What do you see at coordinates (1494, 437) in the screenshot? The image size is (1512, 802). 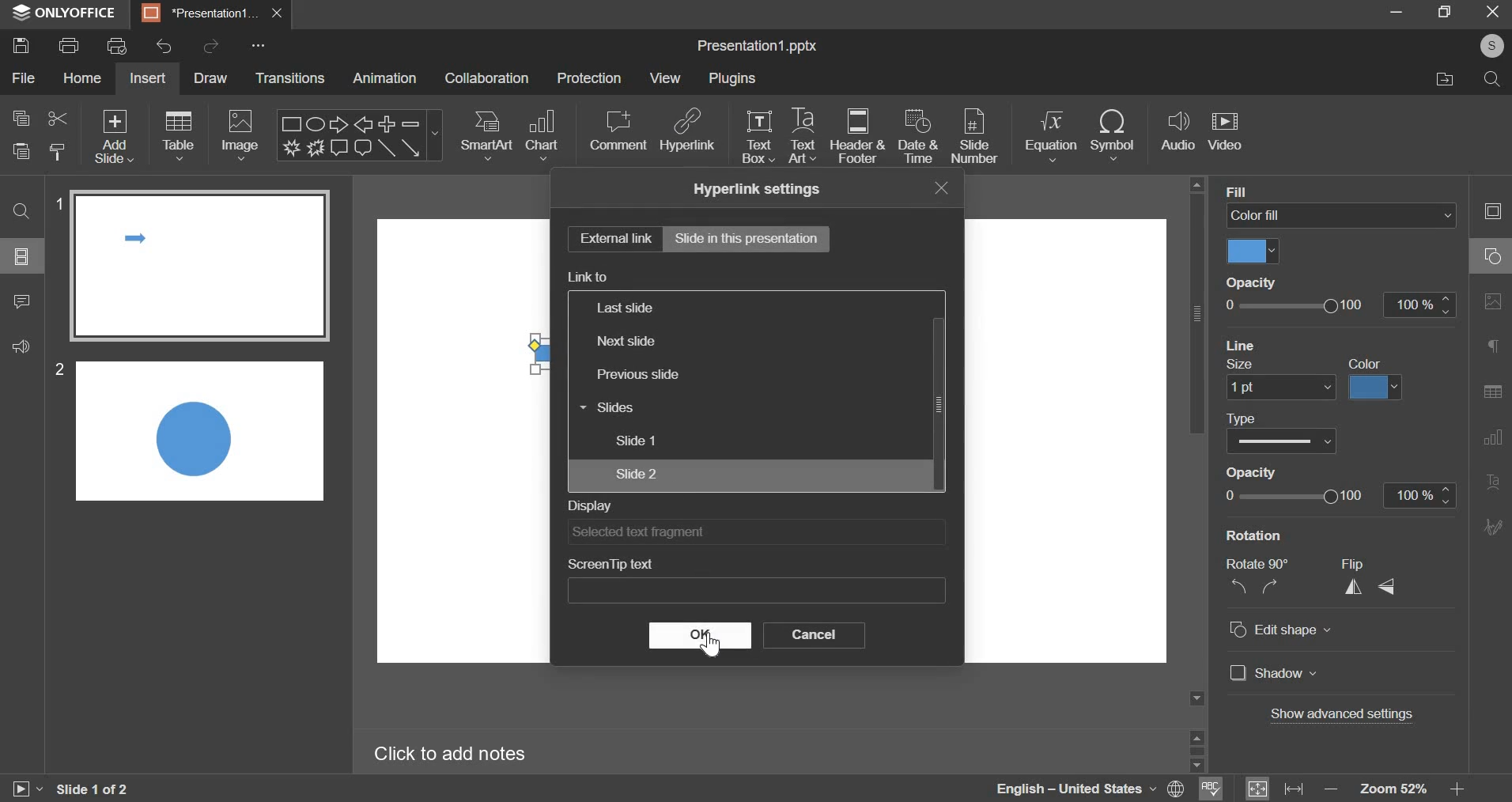 I see `Chart settings` at bounding box center [1494, 437].